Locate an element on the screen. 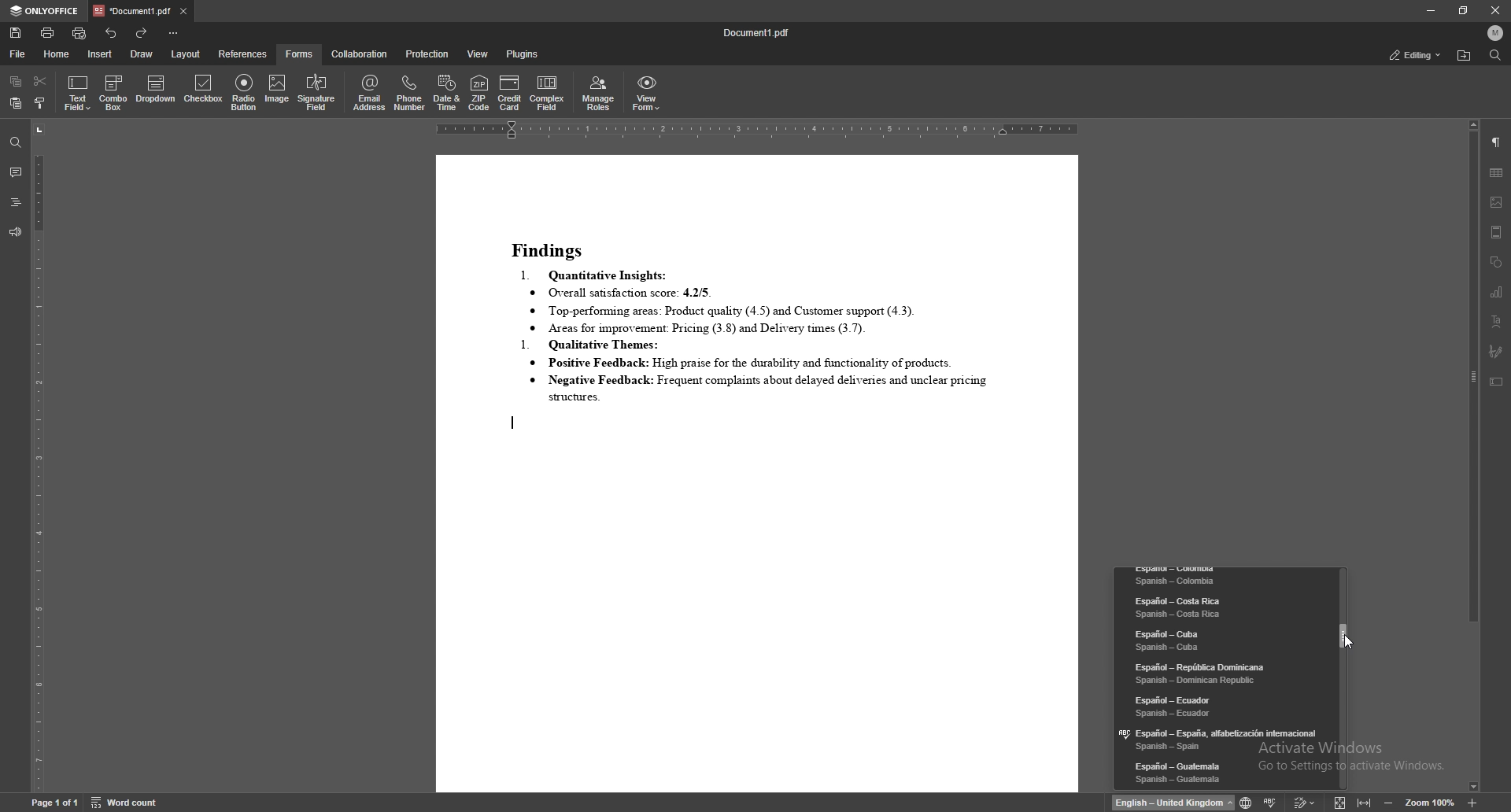 The image size is (1511, 812). redo is located at coordinates (144, 32).